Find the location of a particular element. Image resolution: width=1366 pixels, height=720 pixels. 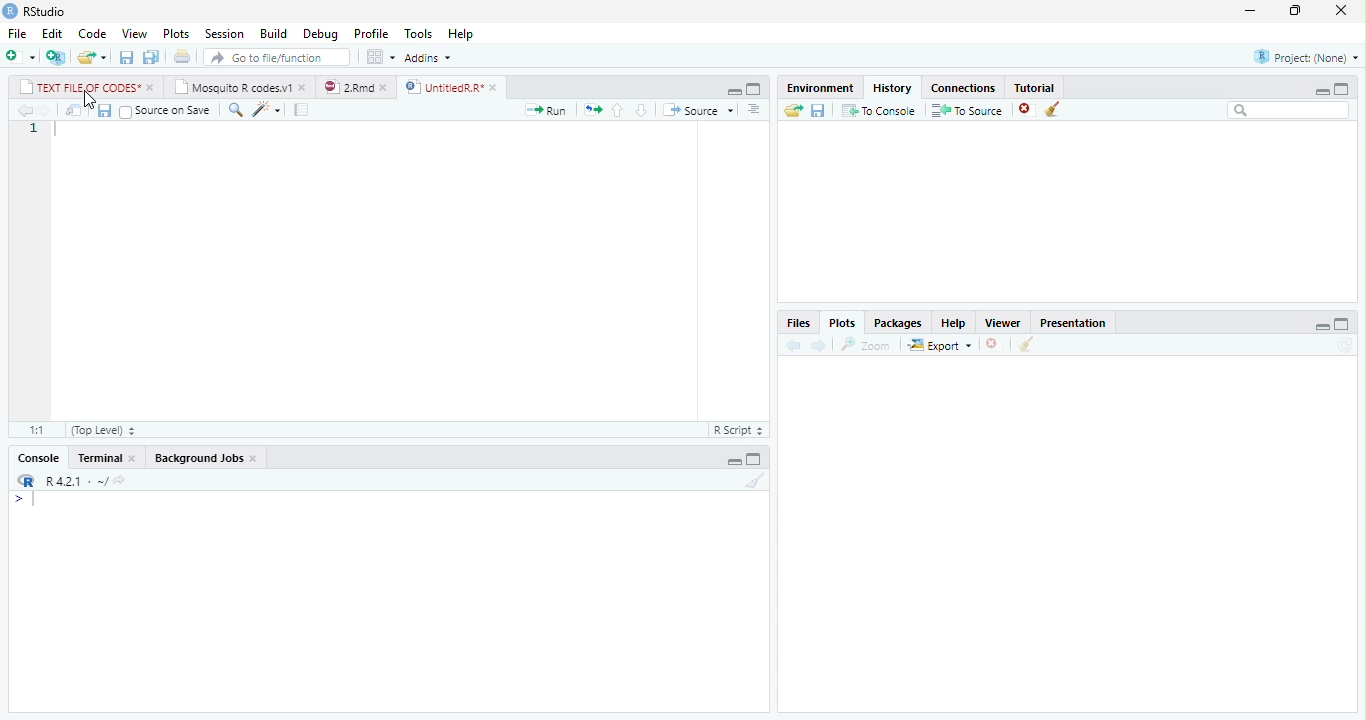

Plots is located at coordinates (175, 34).